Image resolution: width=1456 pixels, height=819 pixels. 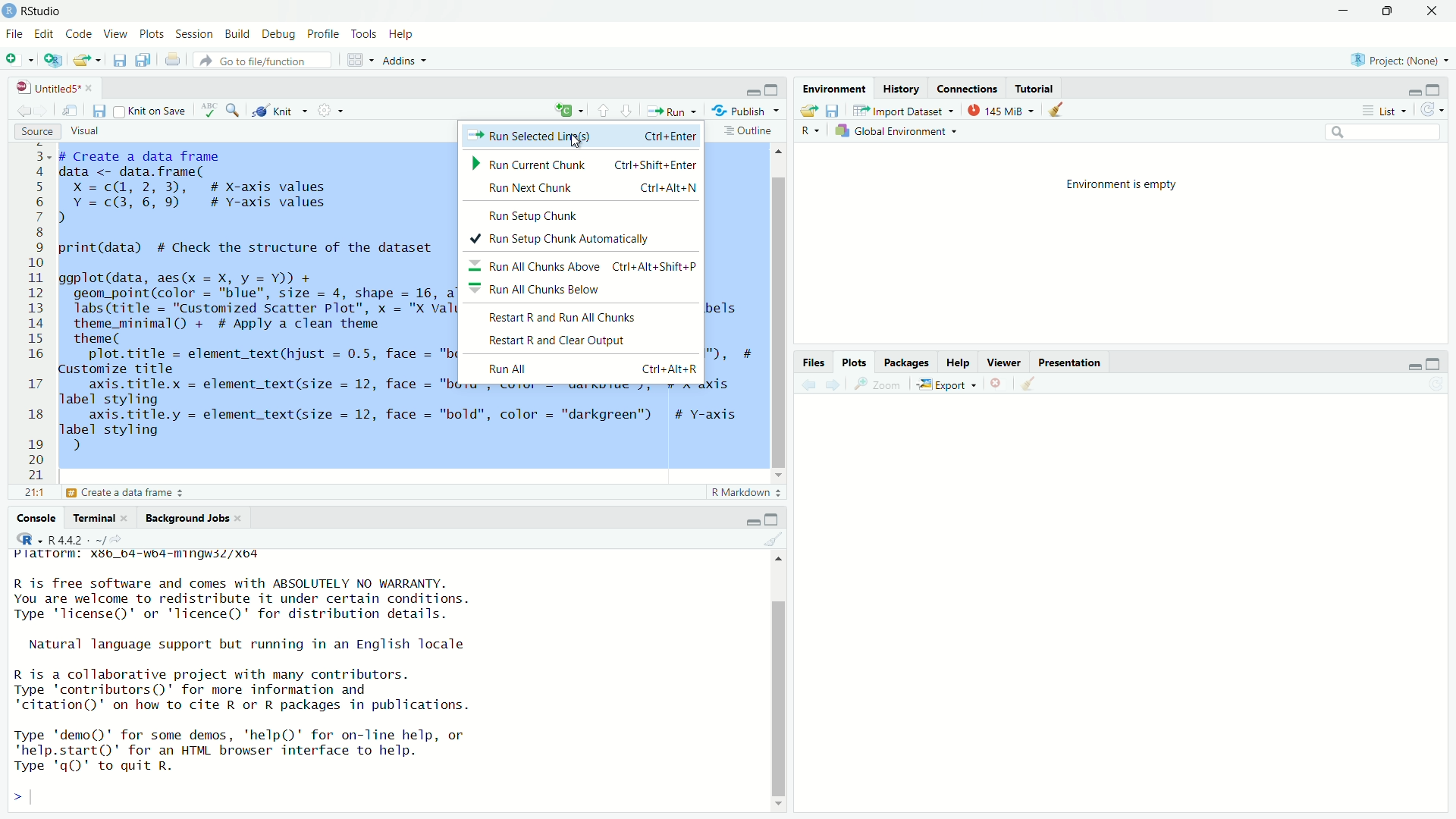 What do you see at coordinates (1433, 110) in the screenshot?
I see `Refresh the list oof object in the Environment` at bounding box center [1433, 110].